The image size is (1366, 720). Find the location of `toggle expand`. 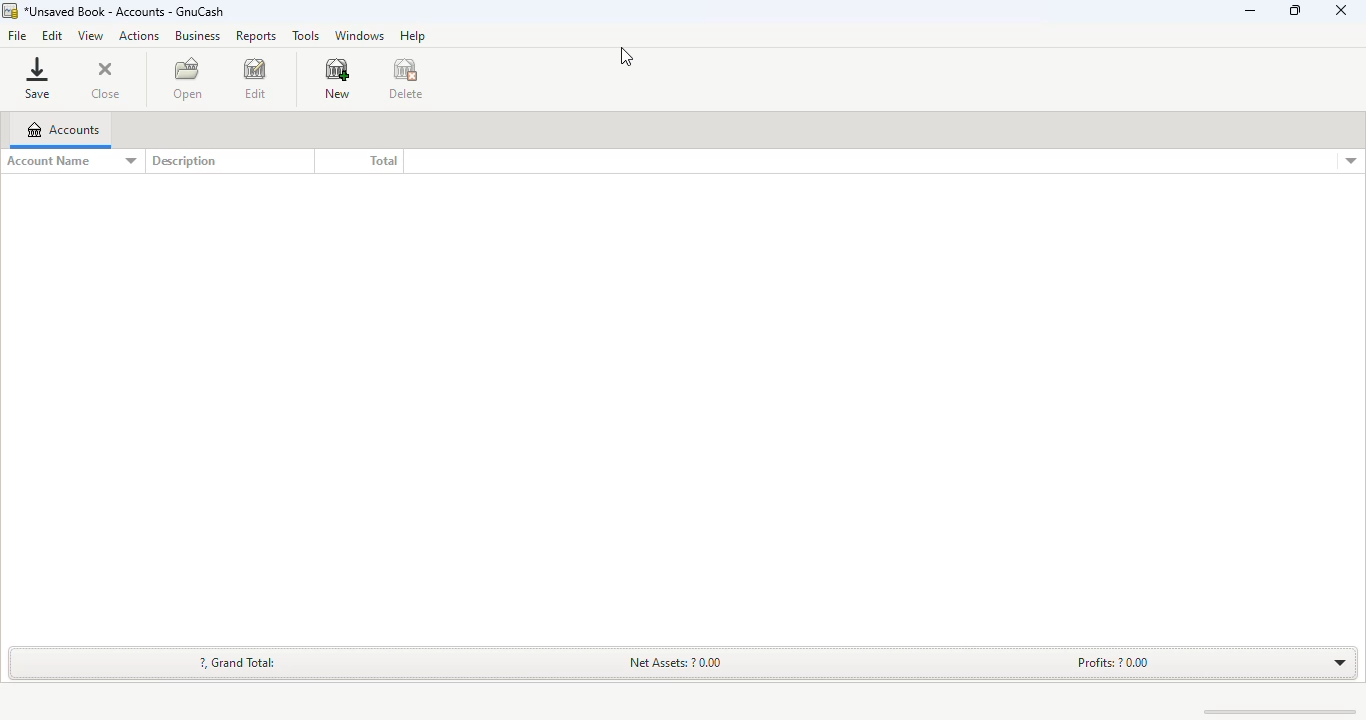

toggle expand is located at coordinates (1340, 664).